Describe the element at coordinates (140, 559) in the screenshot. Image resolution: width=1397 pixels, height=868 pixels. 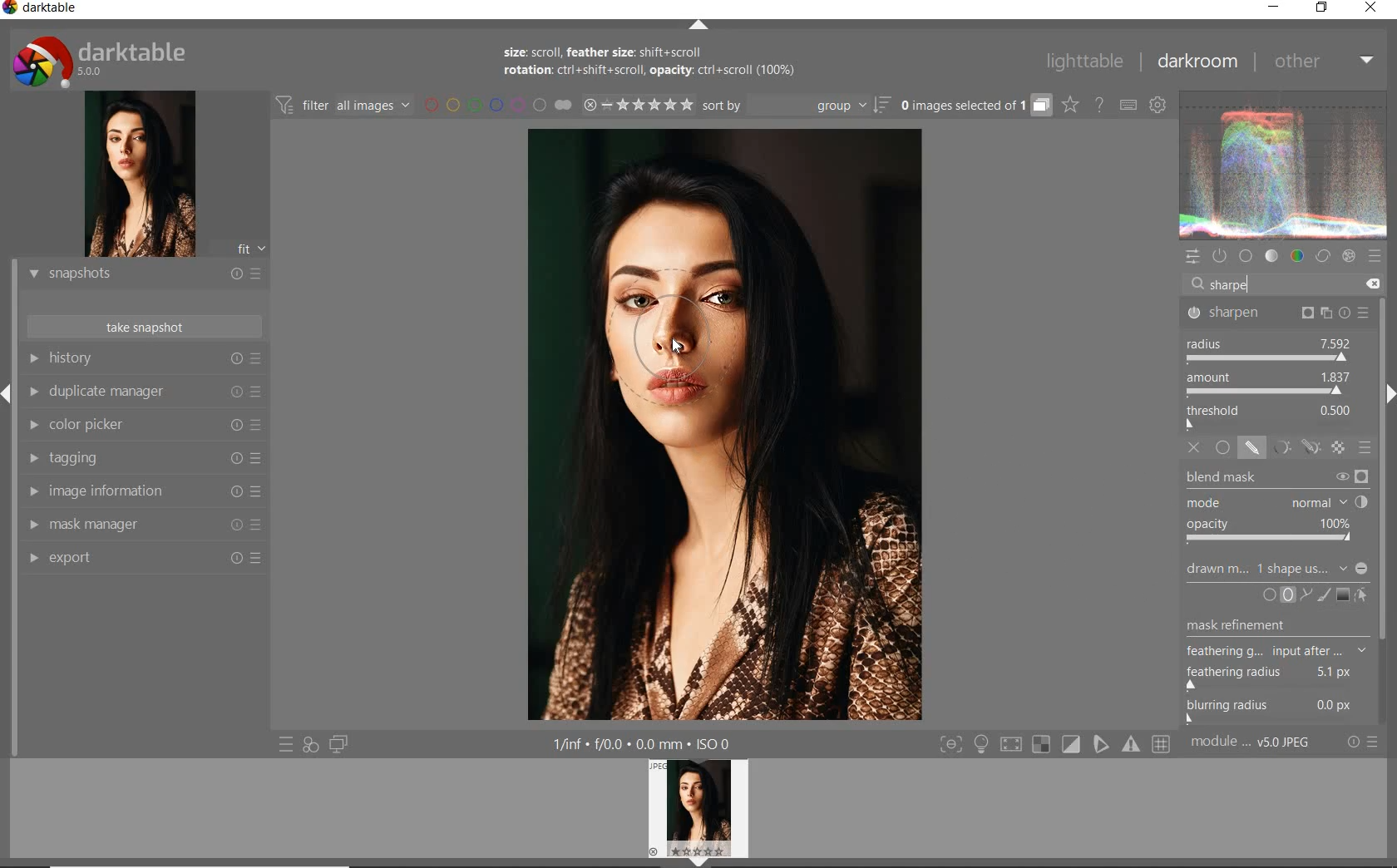
I see `EXPORT` at that location.